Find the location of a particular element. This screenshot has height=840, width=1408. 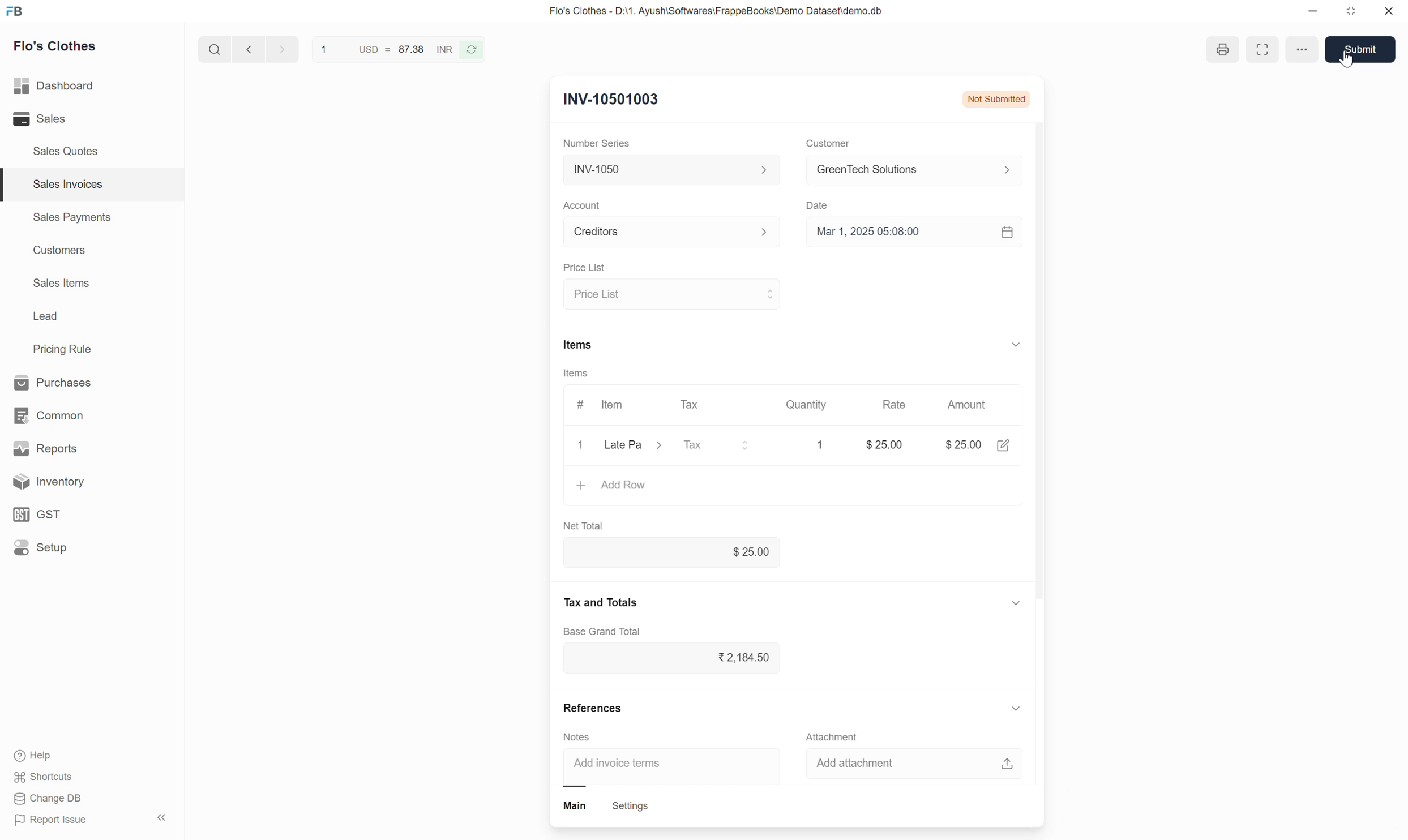

resize  is located at coordinates (1355, 14).